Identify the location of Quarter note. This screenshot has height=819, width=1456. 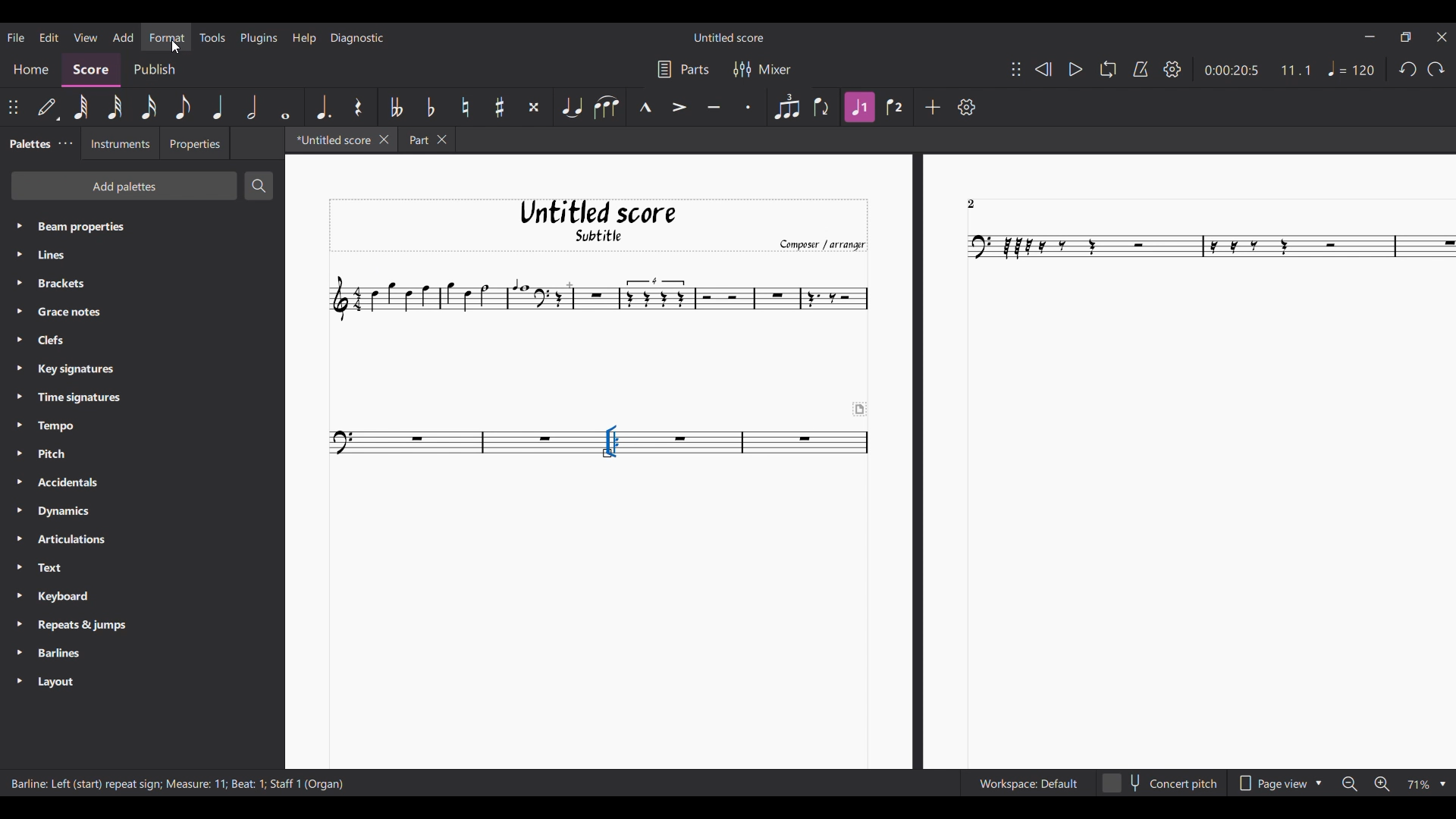
(218, 107).